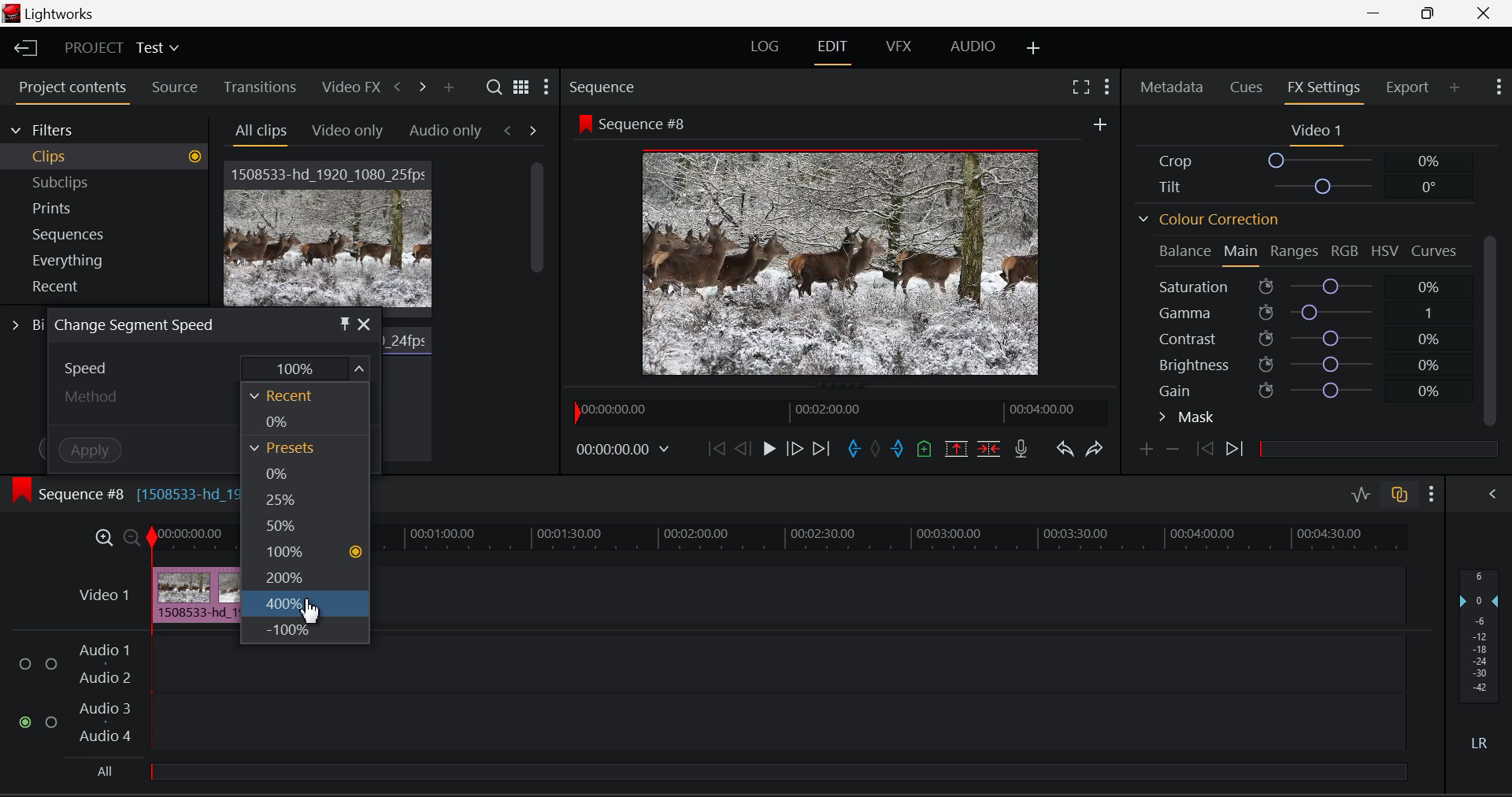 This screenshot has width=1512, height=797. What do you see at coordinates (1303, 339) in the screenshot?
I see `Contrast` at bounding box center [1303, 339].